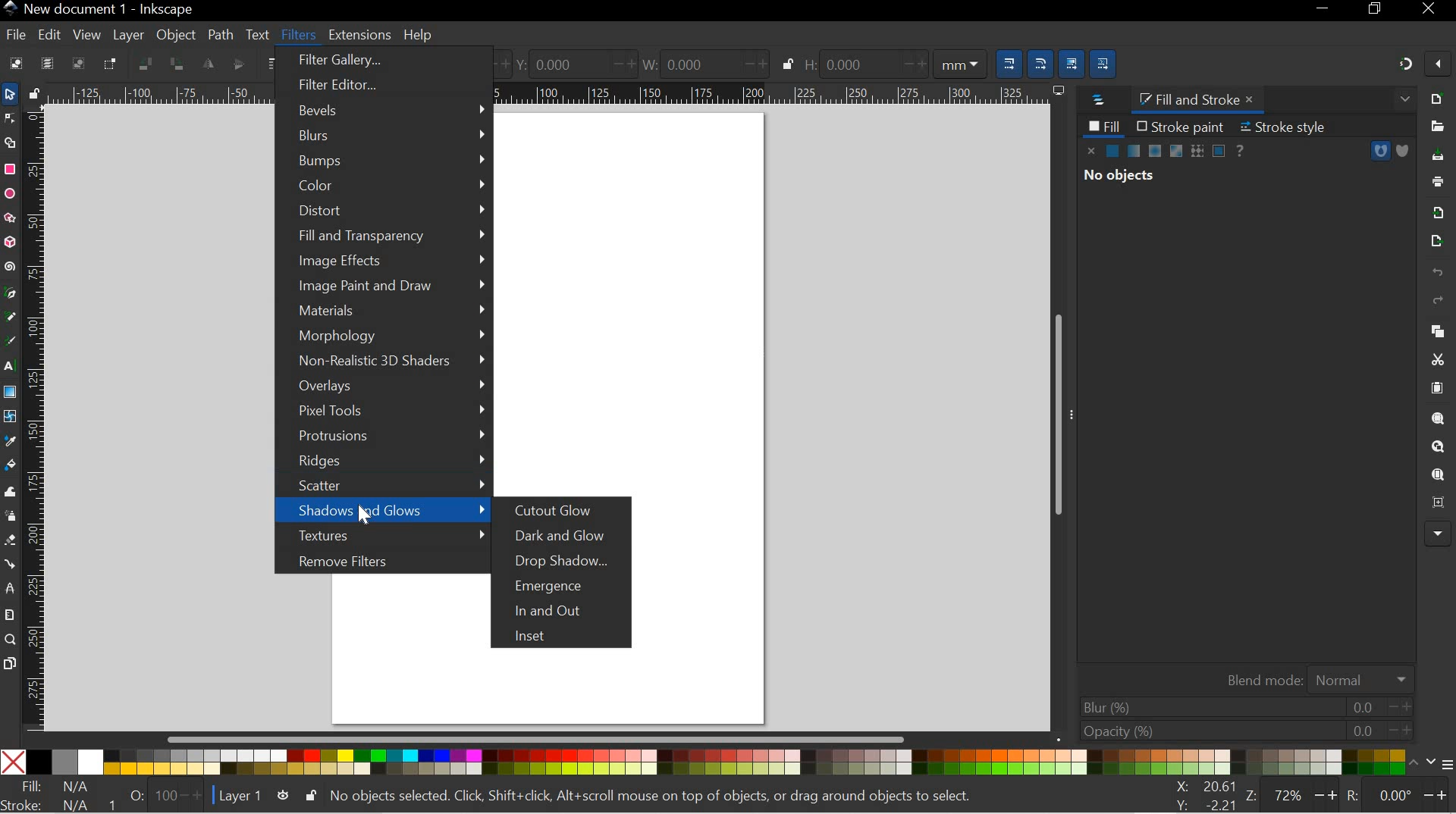  I want to click on Cursor, so click(364, 519).